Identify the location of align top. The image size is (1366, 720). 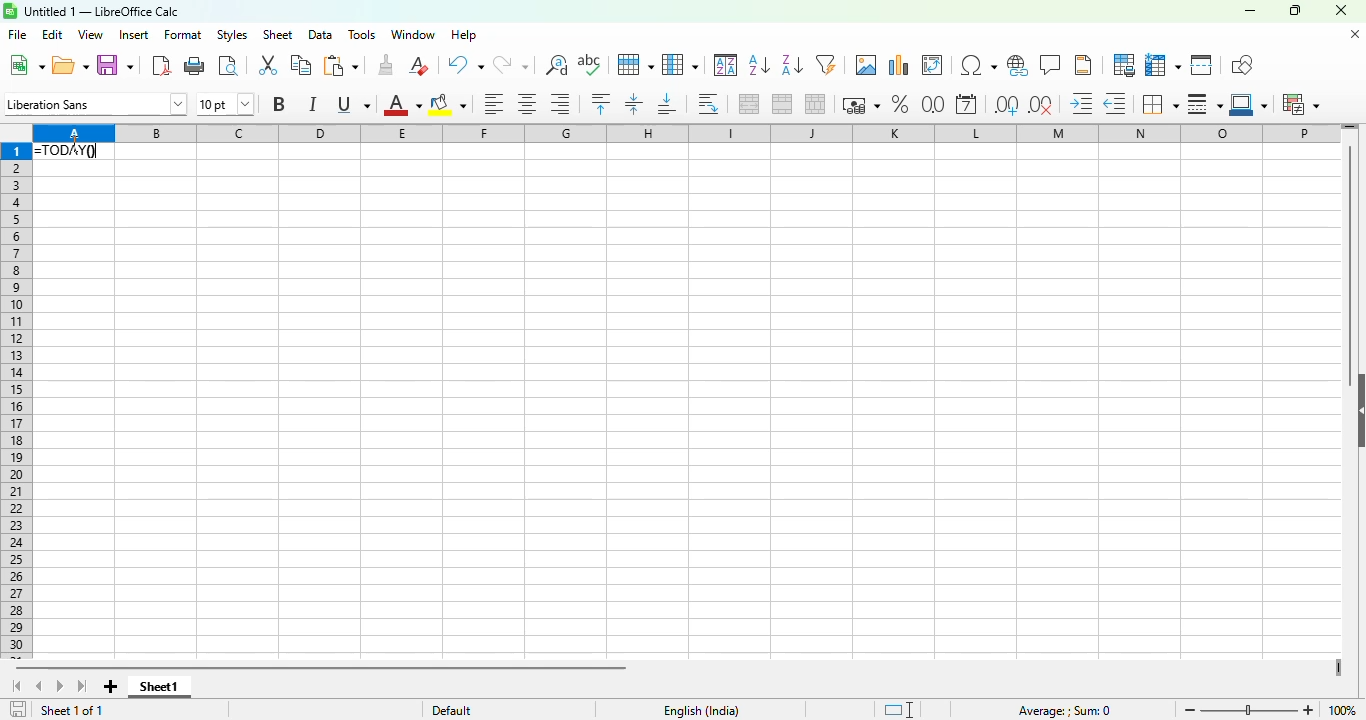
(601, 103).